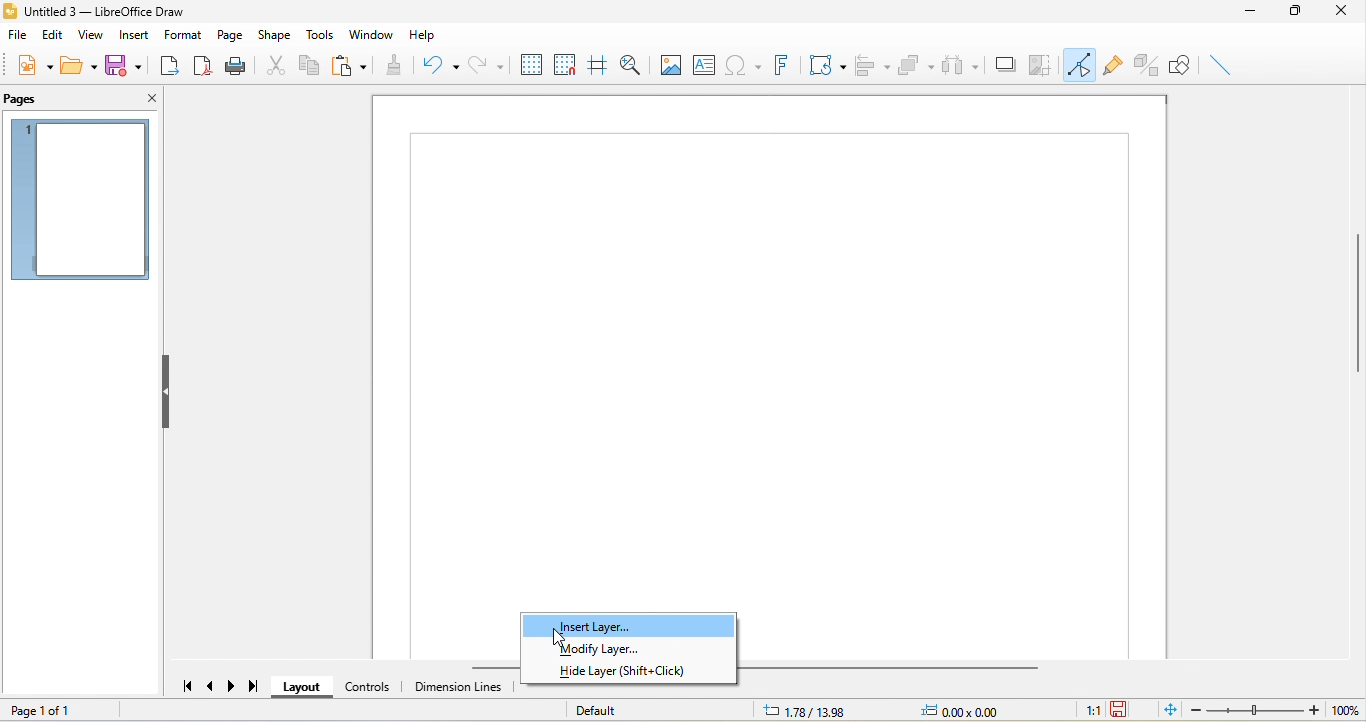  Describe the element at coordinates (485, 63) in the screenshot. I see `redo` at that location.